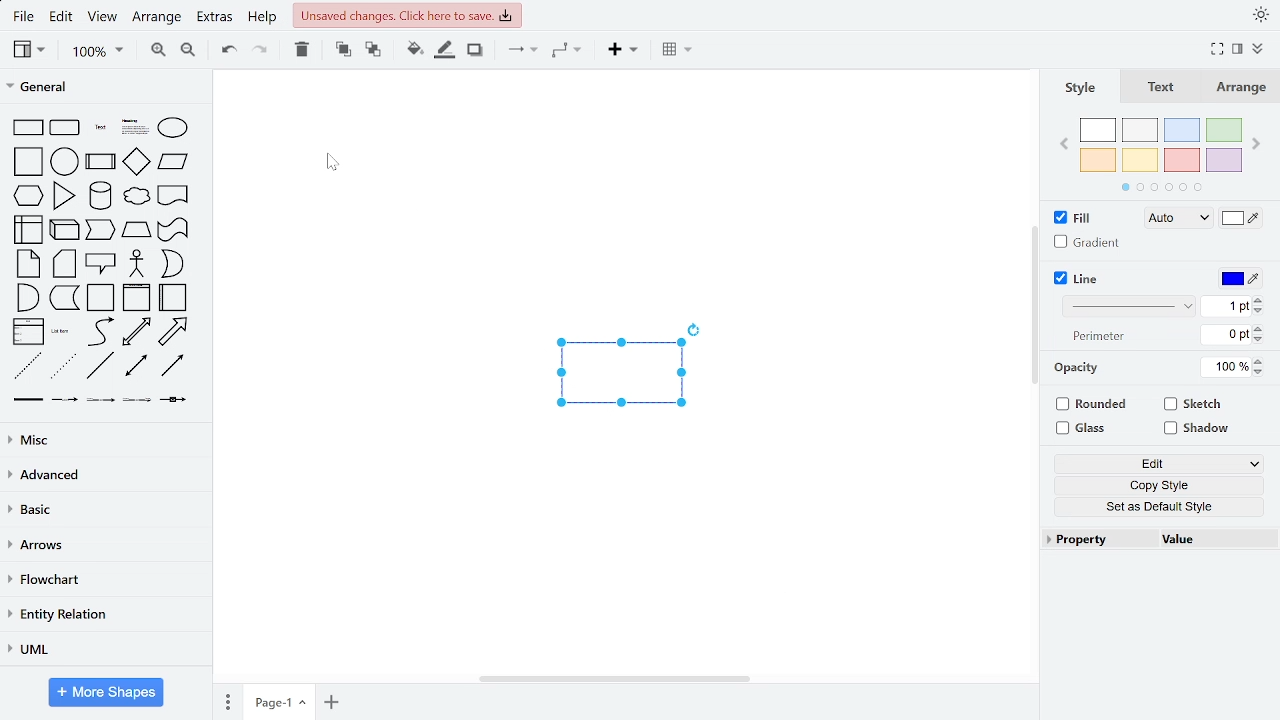 This screenshot has height=720, width=1280. What do you see at coordinates (1227, 368) in the screenshot?
I see `current opacity` at bounding box center [1227, 368].